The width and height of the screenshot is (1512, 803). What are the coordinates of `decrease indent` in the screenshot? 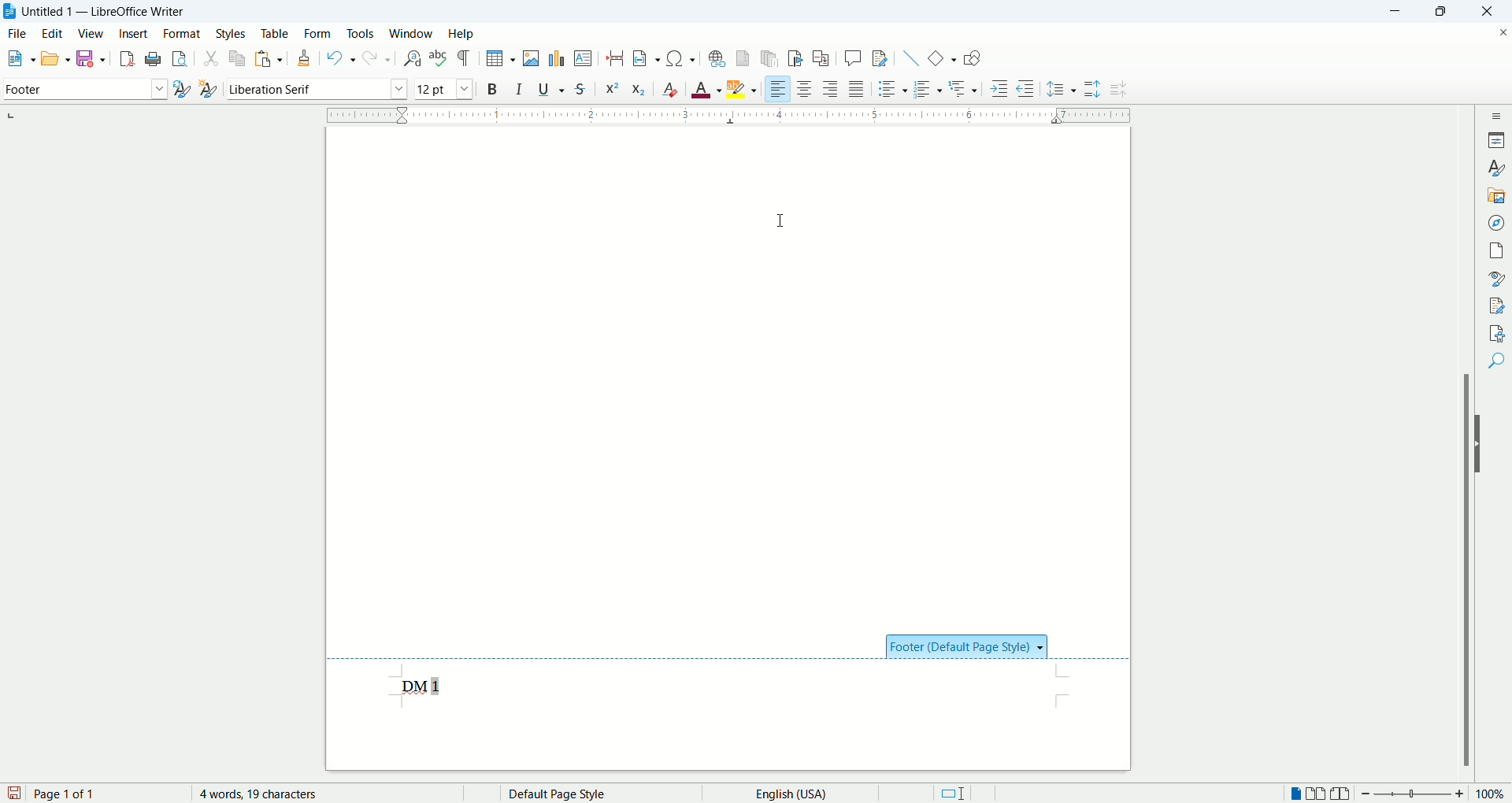 It's located at (1025, 88).